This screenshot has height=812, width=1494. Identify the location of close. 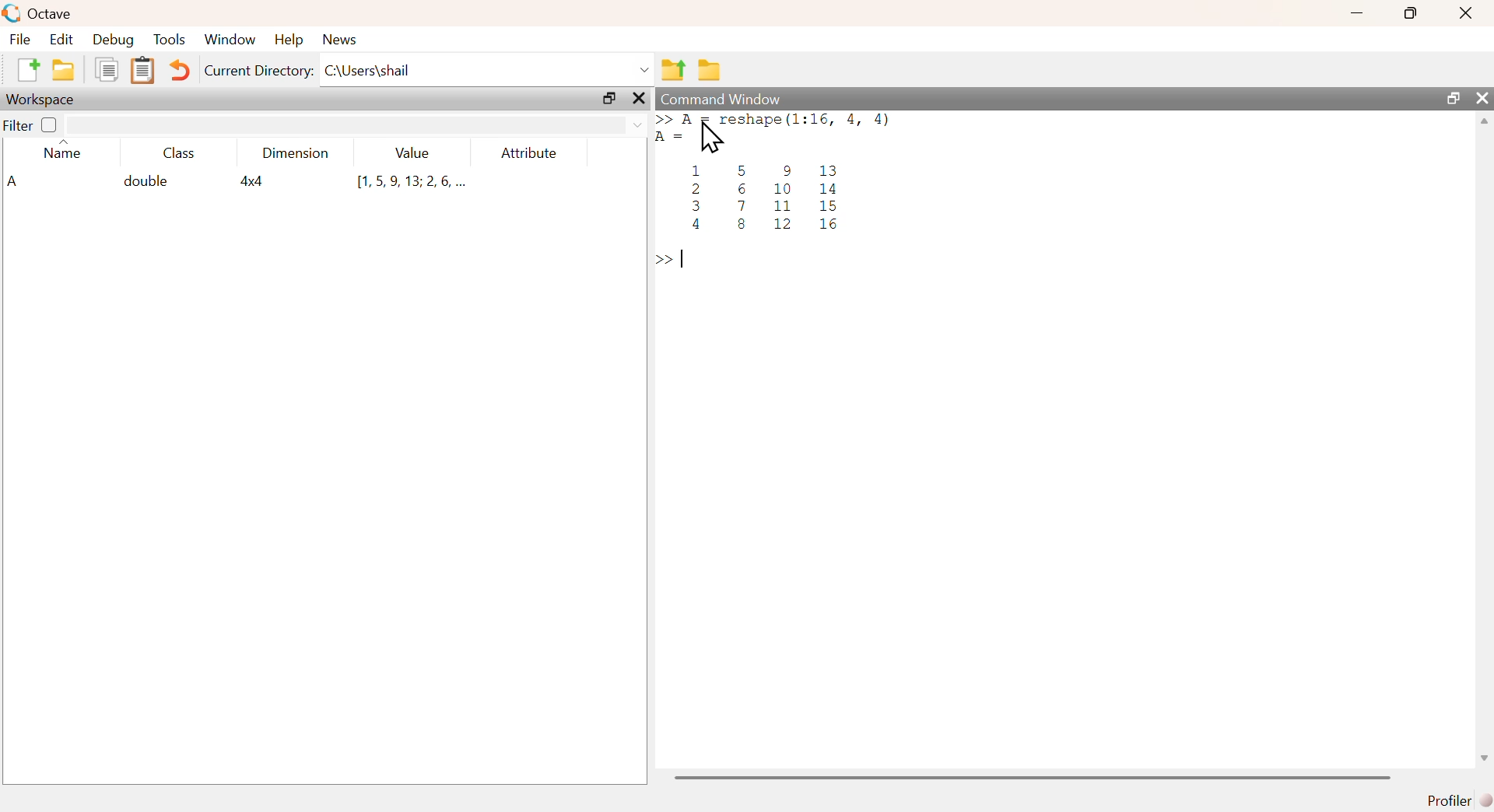
(1484, 99).